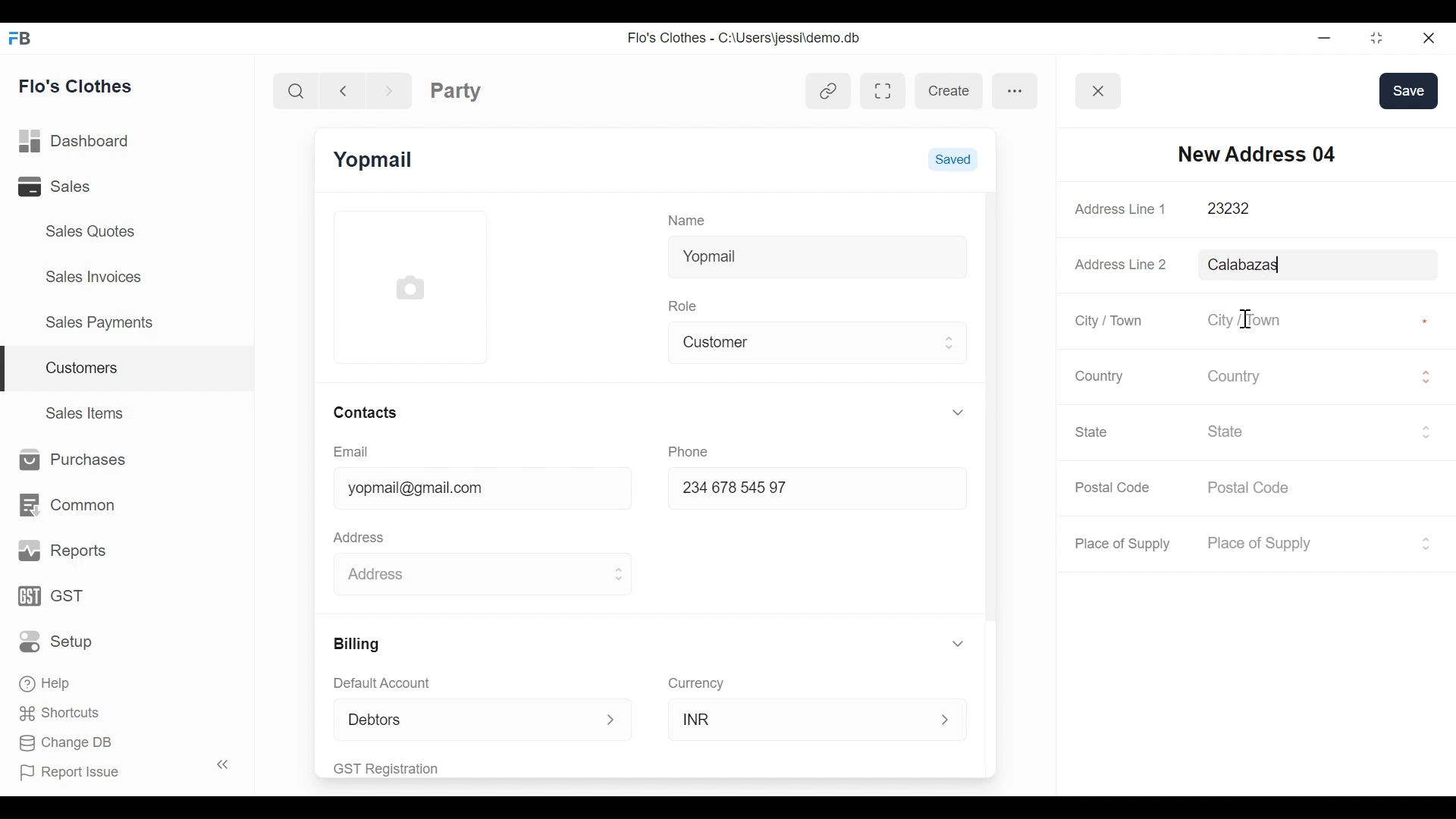 This screenshot has width=1456, height=819. What do you see at coordinates (53, 598) in the screenshot?
I see `GST` at bounding box center [53, 598].